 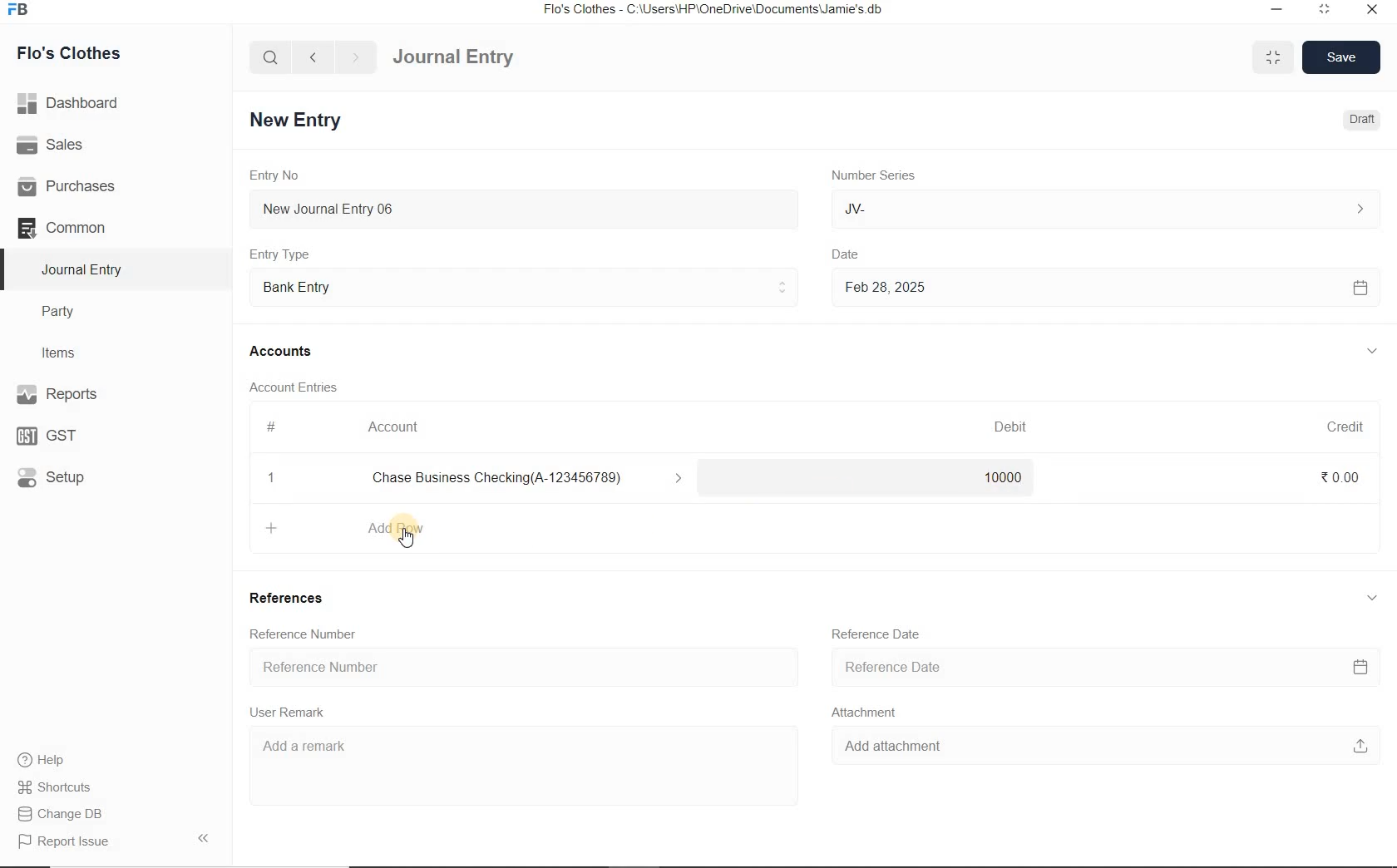 I want to click on Debit, so click(x=1012, y=427).